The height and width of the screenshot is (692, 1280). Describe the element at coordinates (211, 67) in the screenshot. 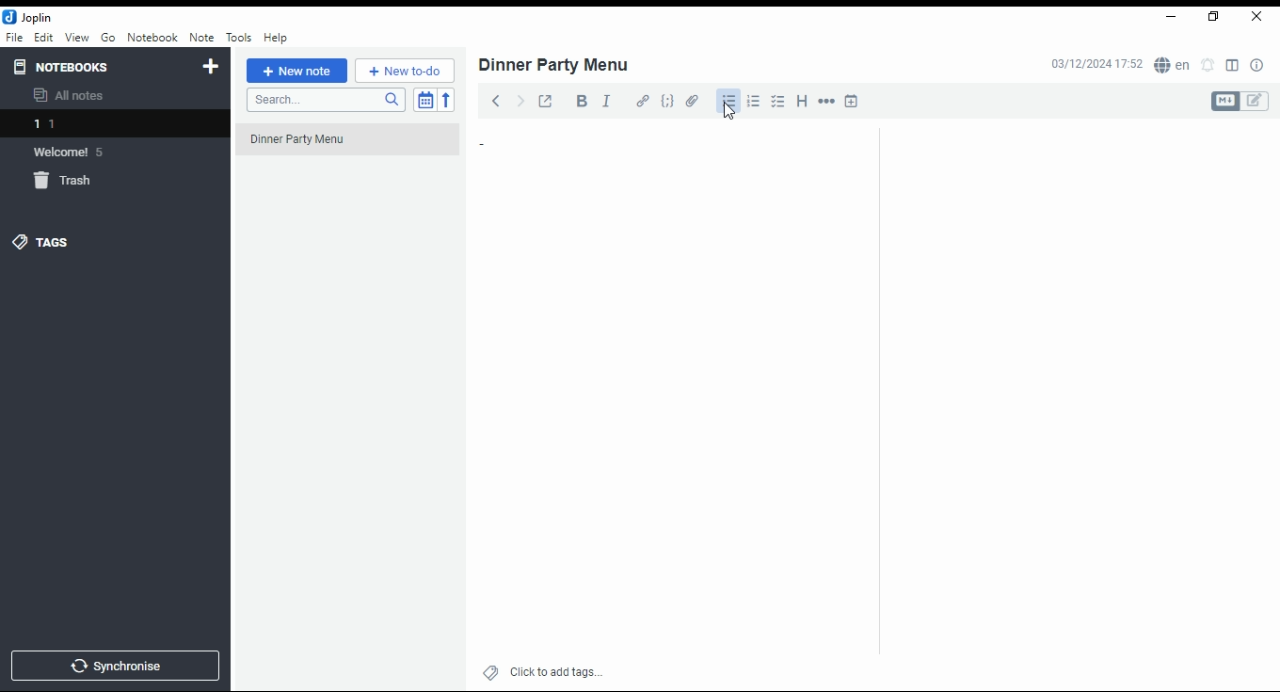

I see `new notebook` at that location.